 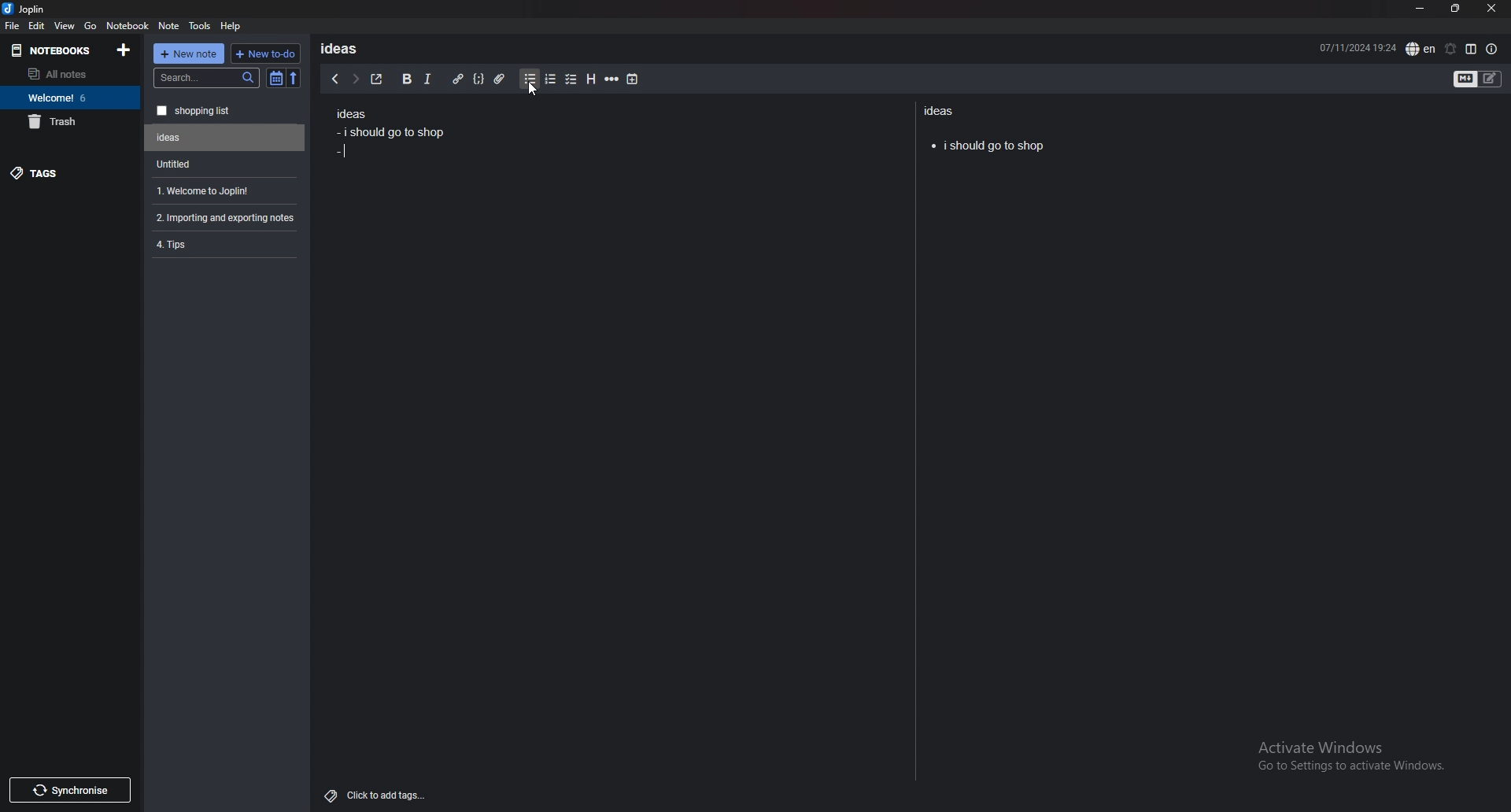 What do you see at coordinates (988, 143) in the screenshot?
I see `i should go to shop` at bounding box center [988, 143].